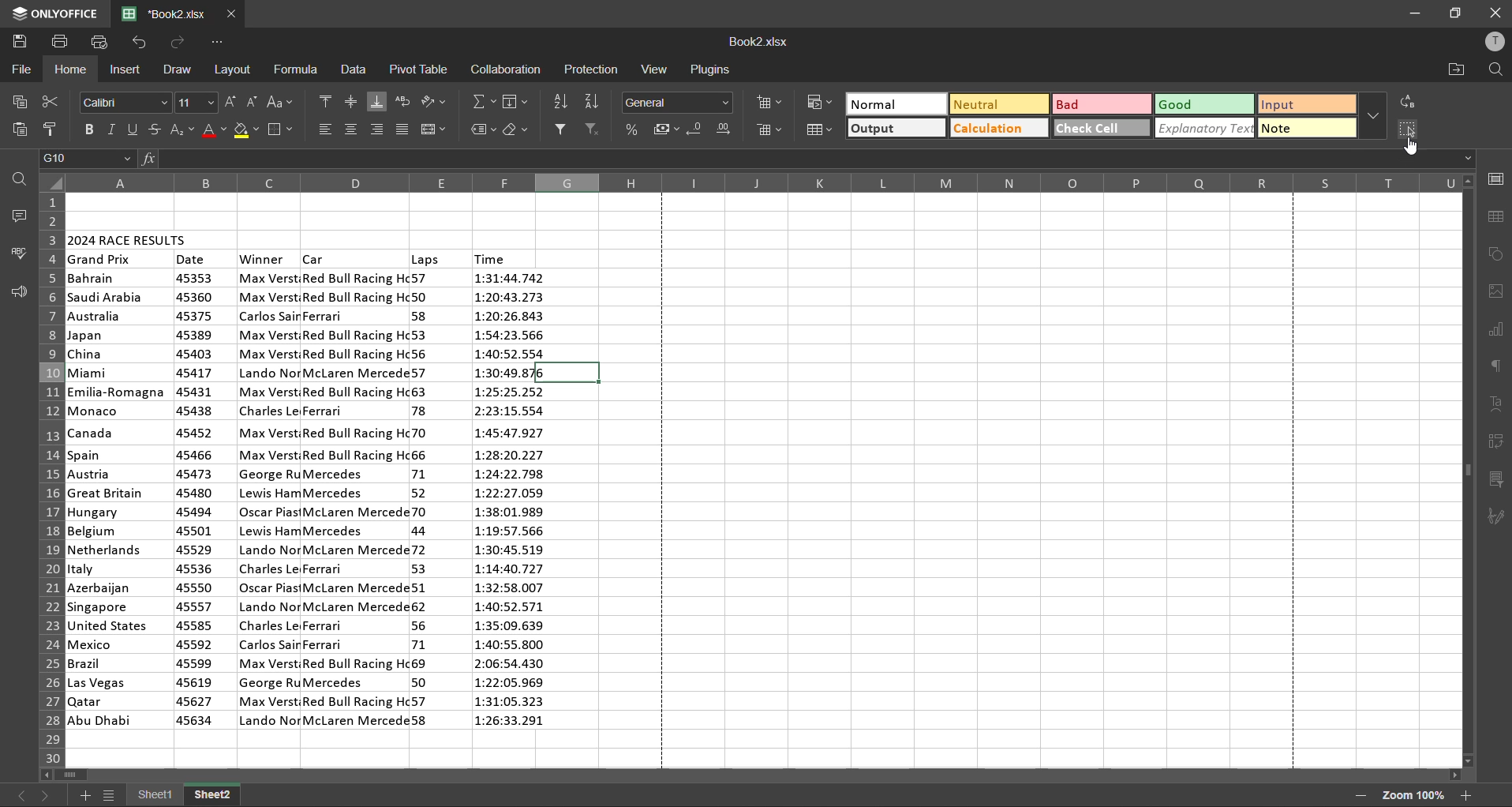  Describe the element at coordinates (1497, 479) in the screenshot. I see `slicer` at that location.